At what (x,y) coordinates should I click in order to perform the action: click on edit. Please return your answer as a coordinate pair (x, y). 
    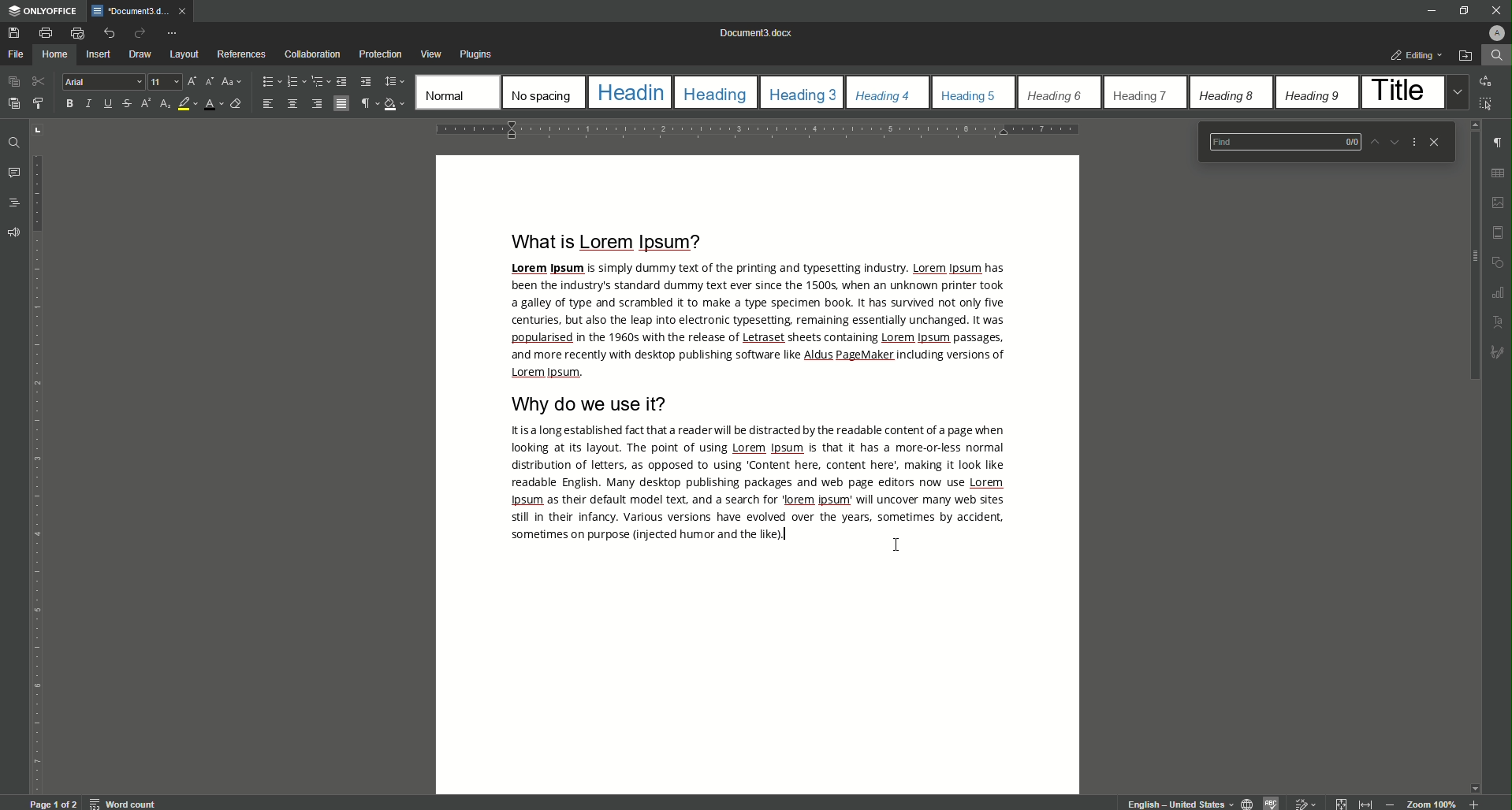
    Looking at the image, I should click on (1305, 803).